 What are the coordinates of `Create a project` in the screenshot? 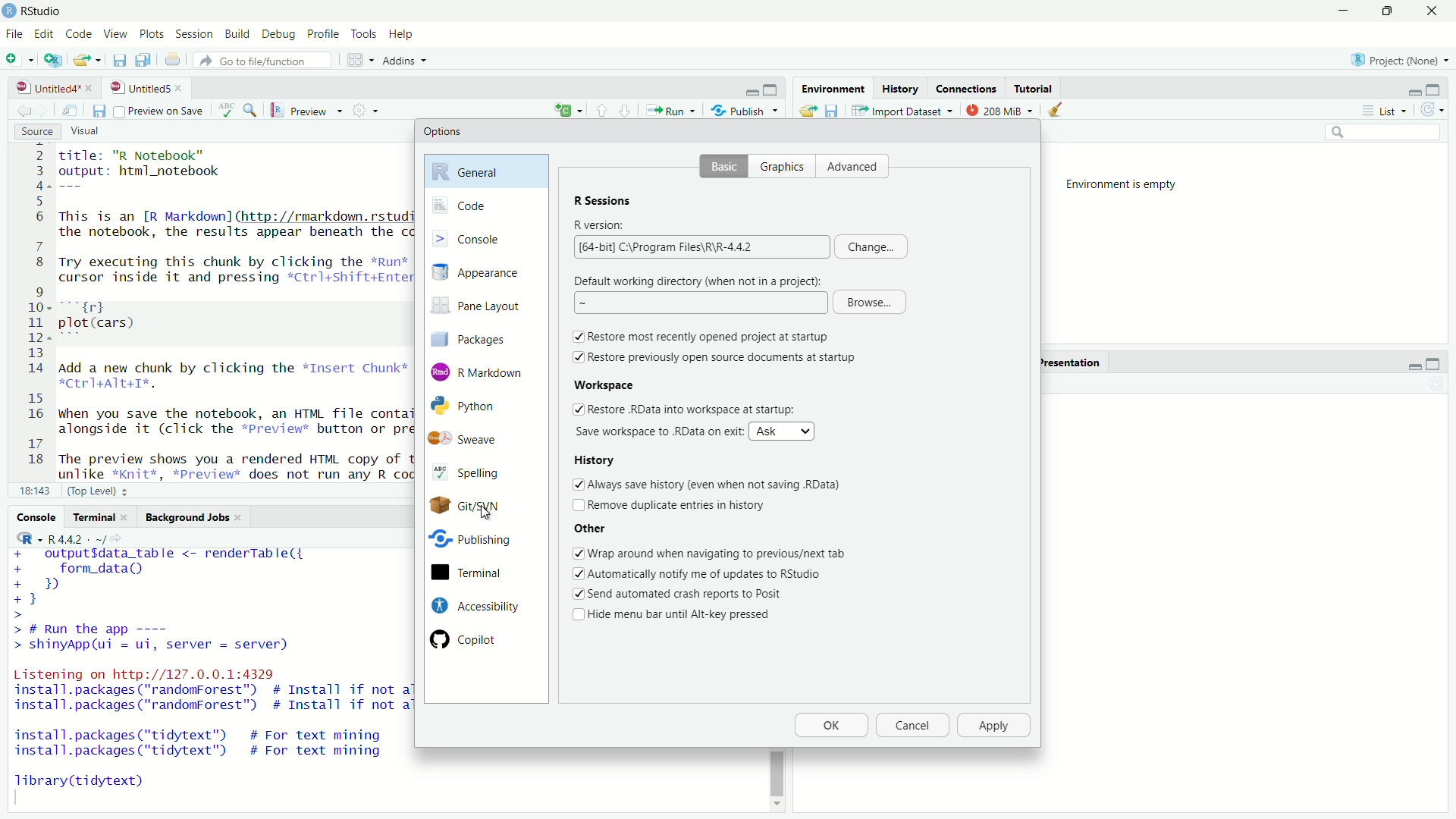 It's located at (54, 59).